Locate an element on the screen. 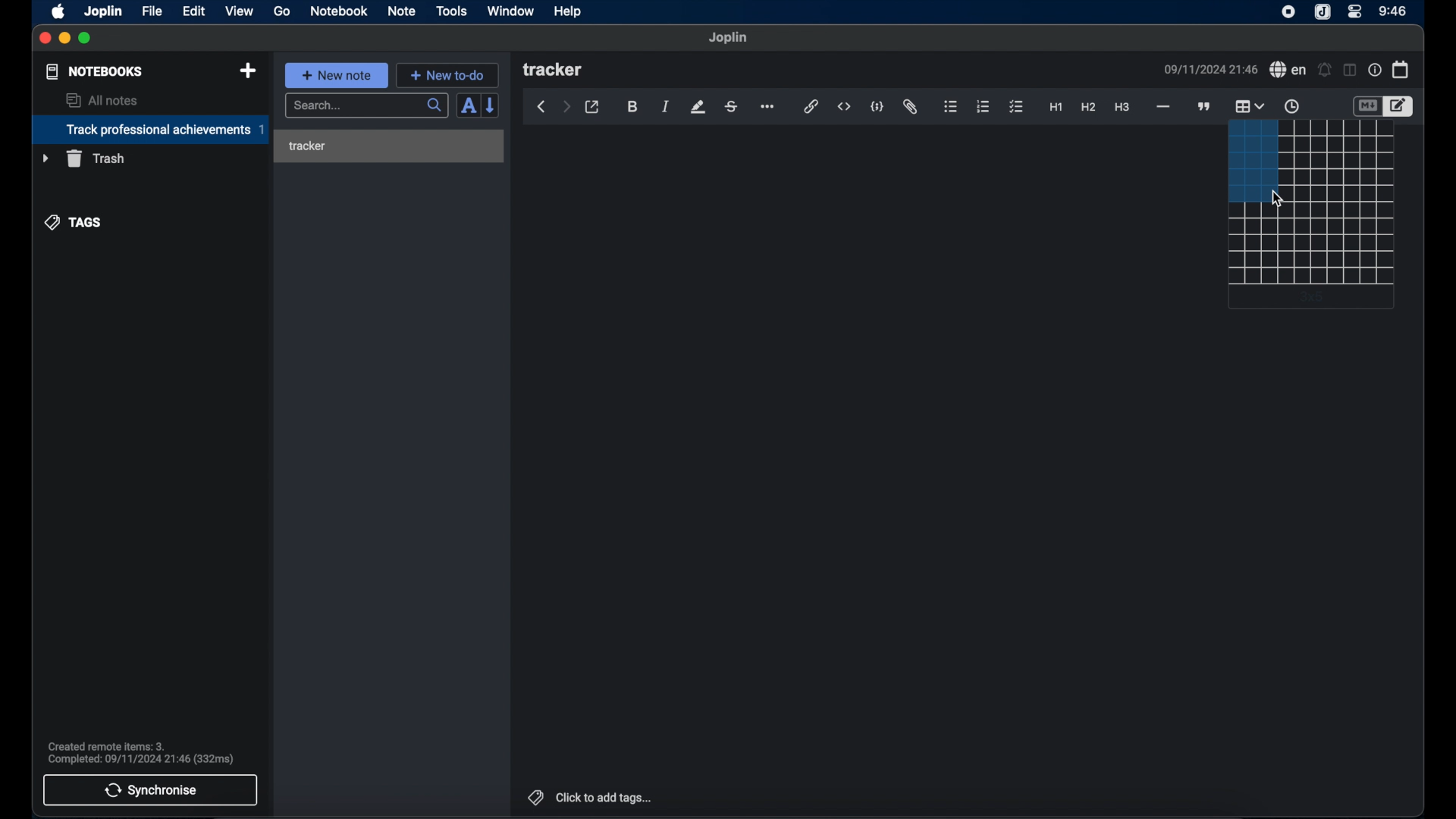 The height and width of the screenshot is (819, 1456). forward is located at coordinates (566, 108).